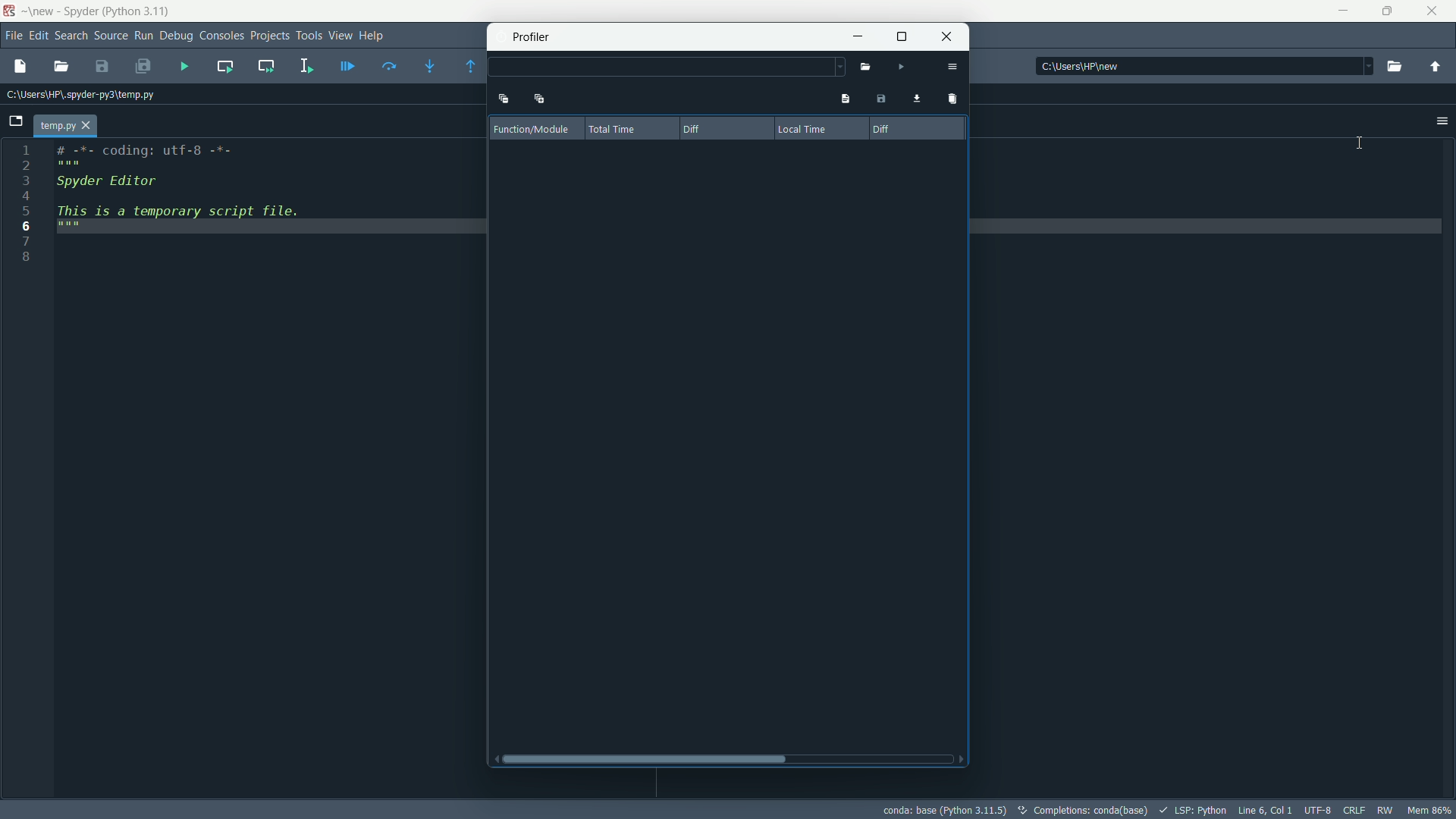 Image resolution: width=1456 pixels, height=819 pixels. What do you see at coordinates (70, 35) in the screenshot?
I see `search menu` at bounding box center [70, 35].